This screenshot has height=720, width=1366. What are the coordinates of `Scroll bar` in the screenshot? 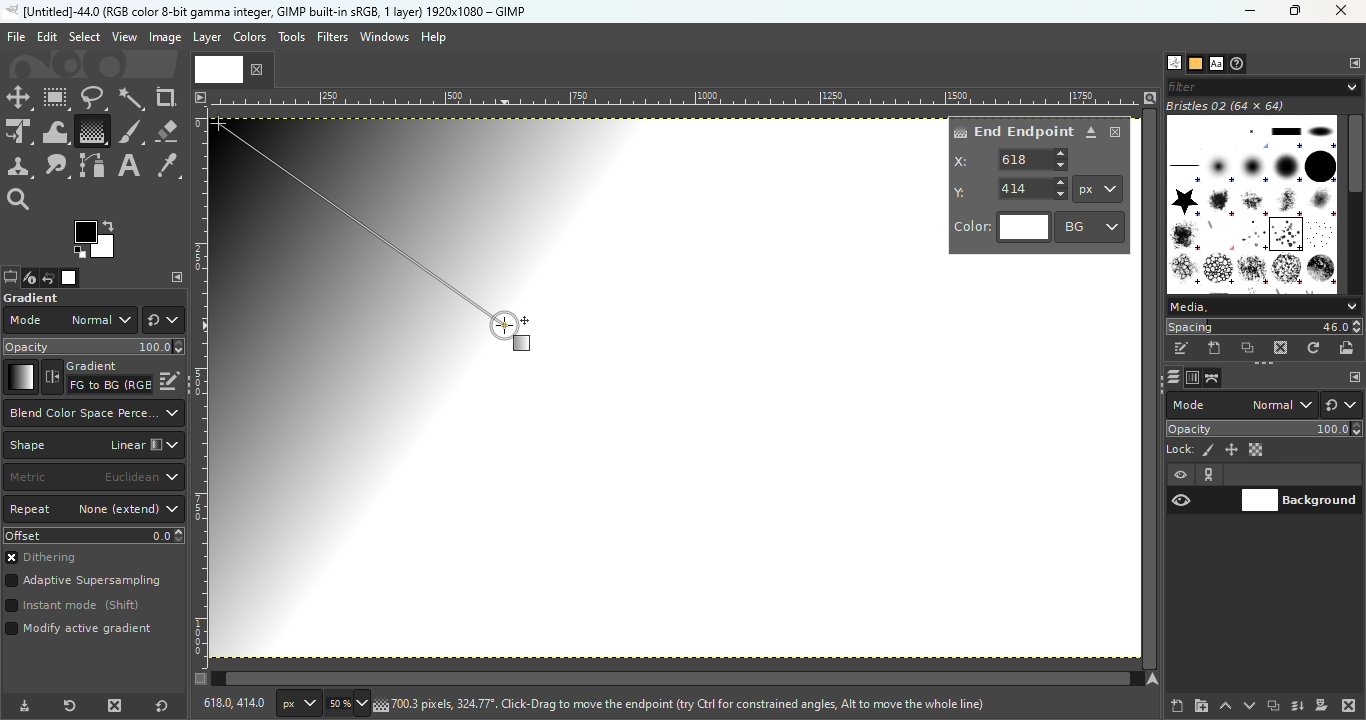 It's located at (1355, 201).